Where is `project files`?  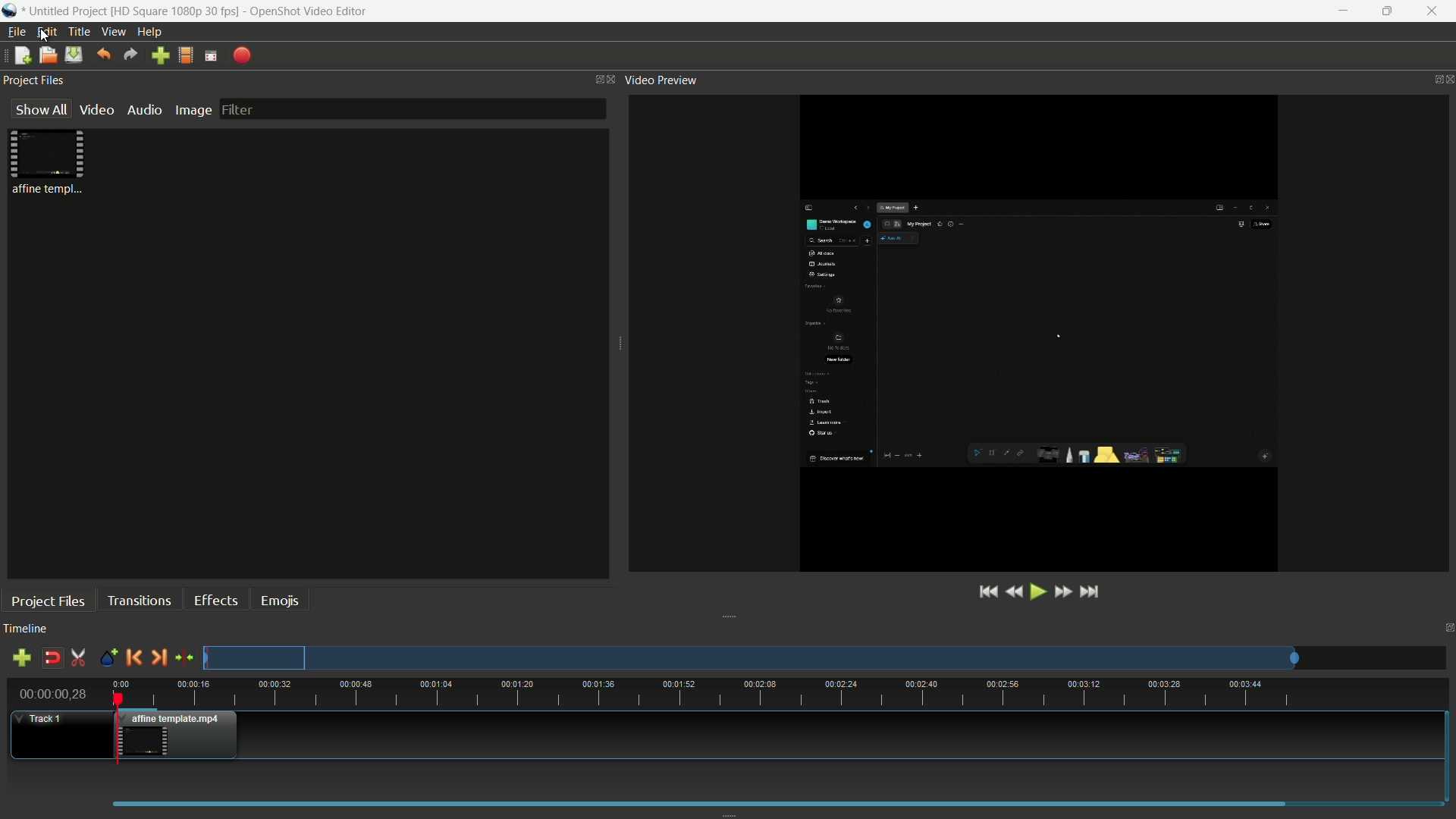
project files is located at coordinates (49, 601).